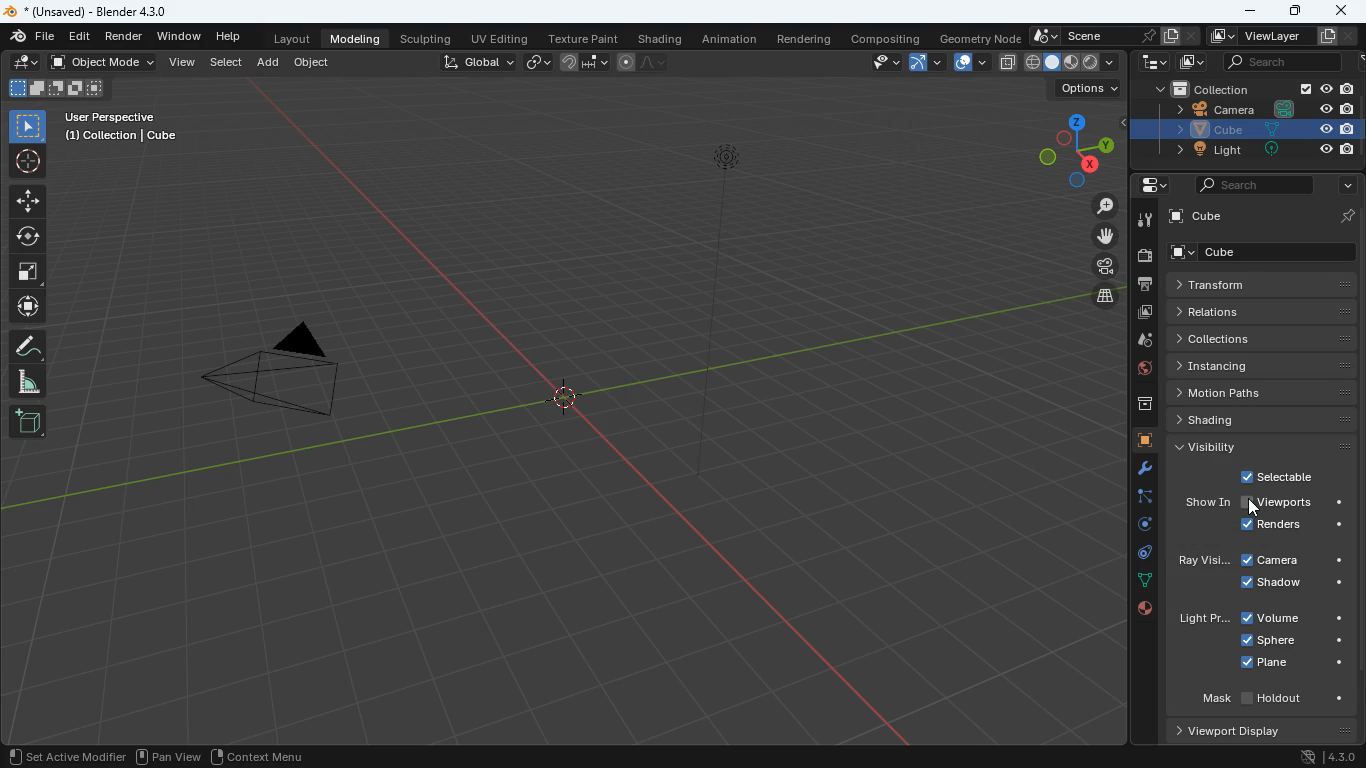 Image resolution: width=1366 pixels, height=768 pixels. I want to click on angle, so click(26, 381).